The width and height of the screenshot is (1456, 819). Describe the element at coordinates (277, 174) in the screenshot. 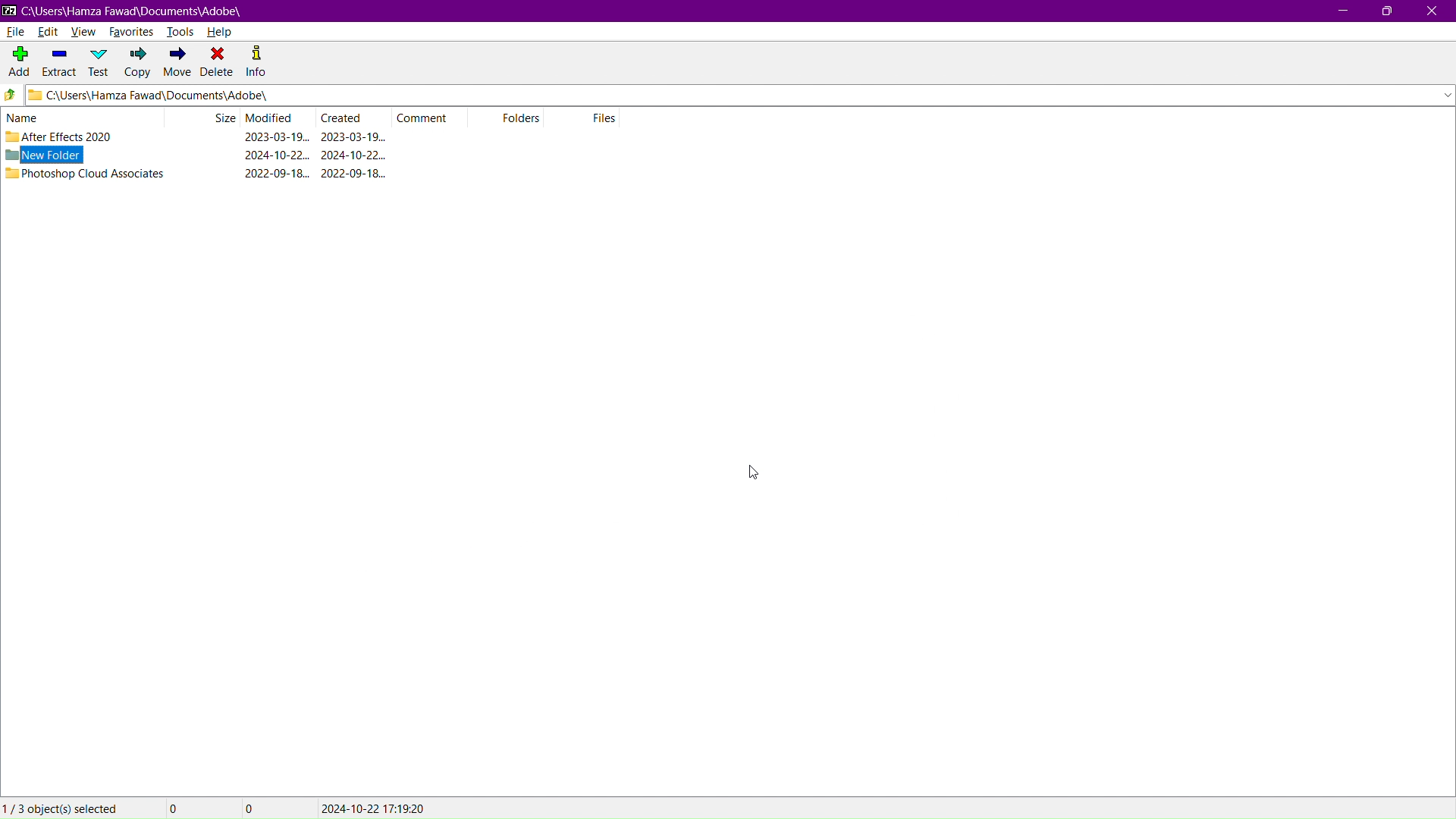

I see `modified date & time` at that location.